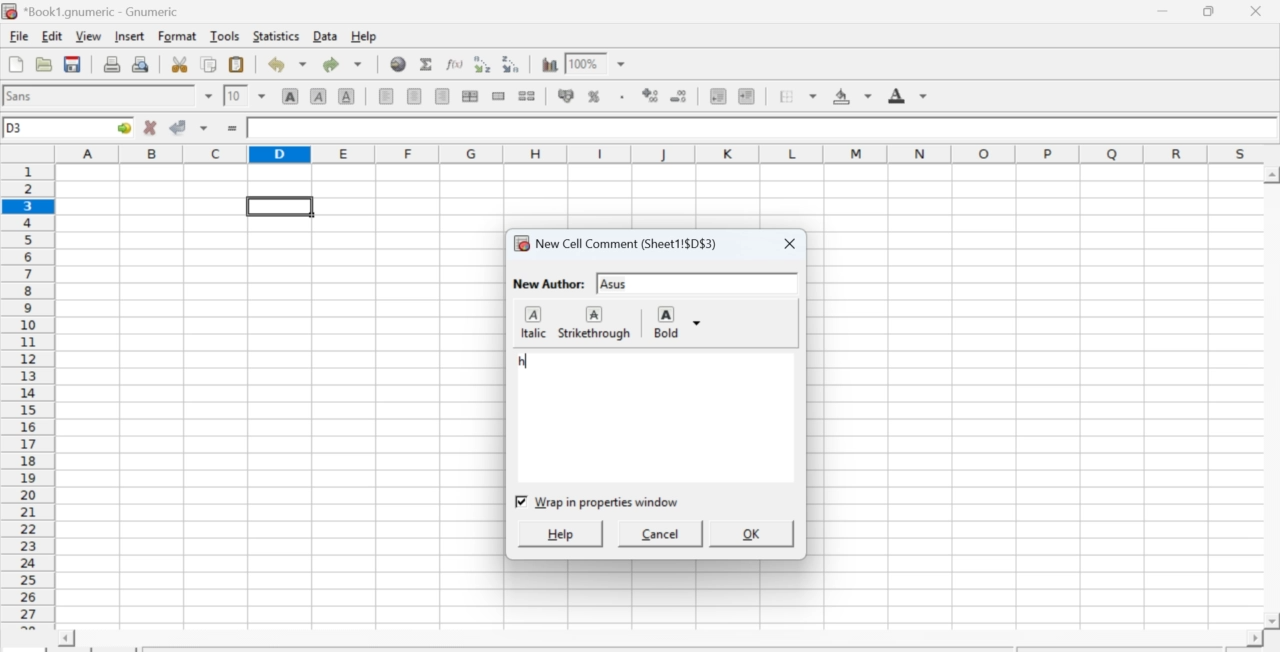 This screenshot has height=652, width=1280. I want to click on Border, so click(798, 97).